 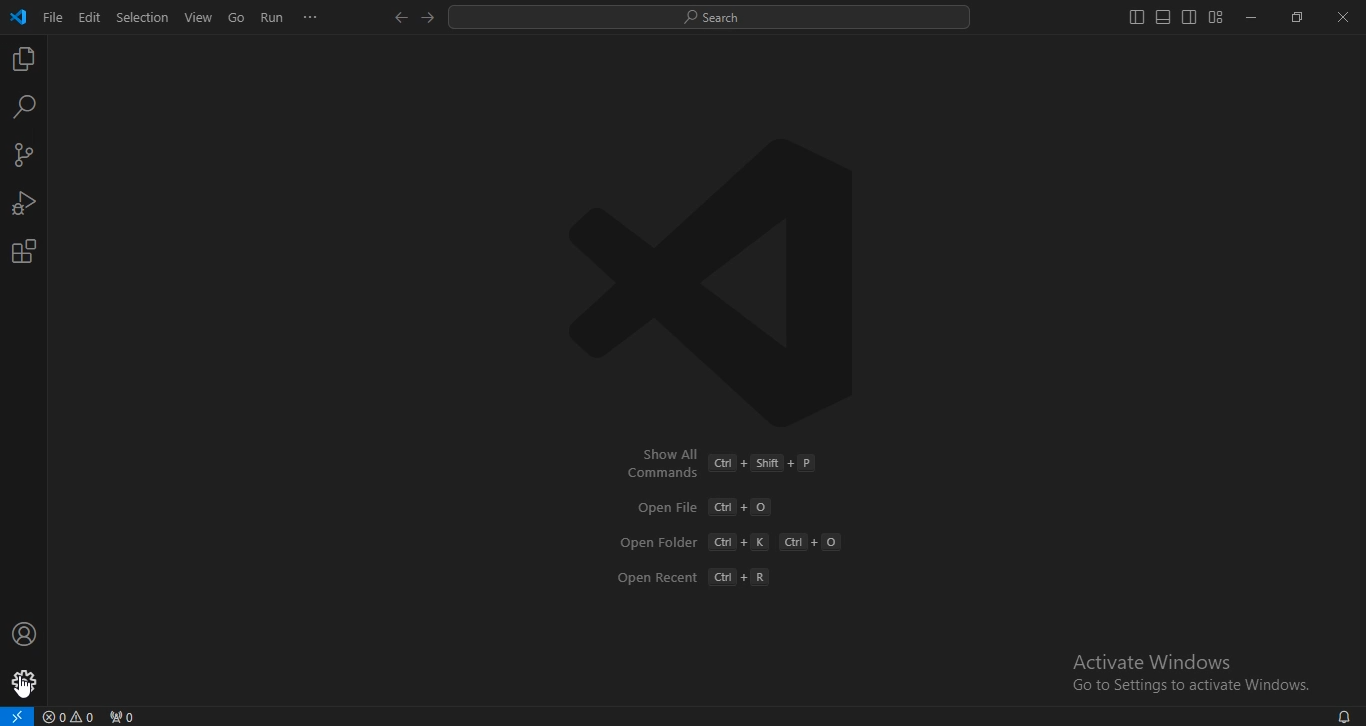 What do you see at coordinates (22, 60) in the screenshot?
I see `explorer` at bounding box center [22, 60].